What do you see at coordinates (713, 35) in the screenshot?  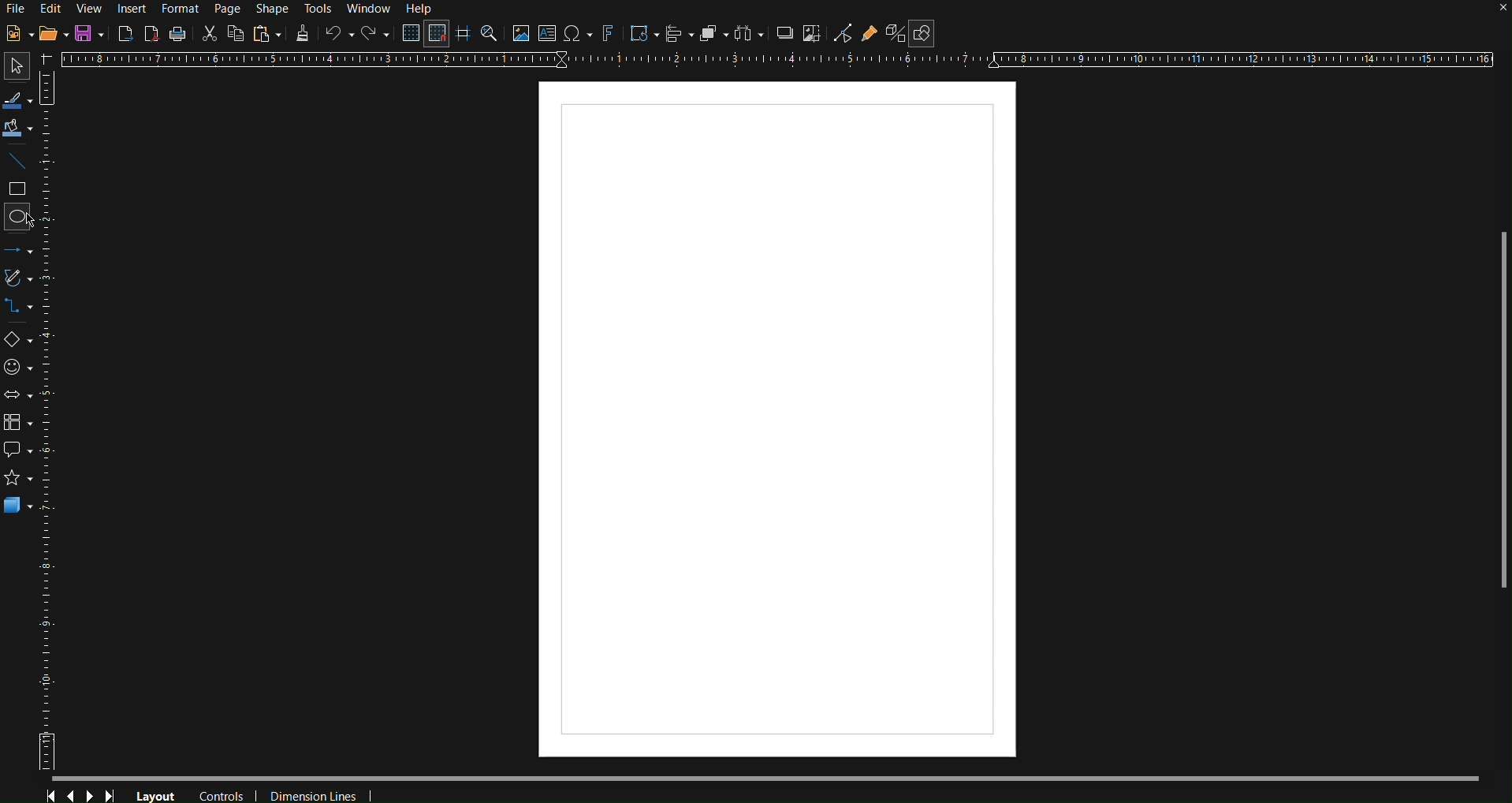 I see `Arrange` at bounding box center [713, 35].